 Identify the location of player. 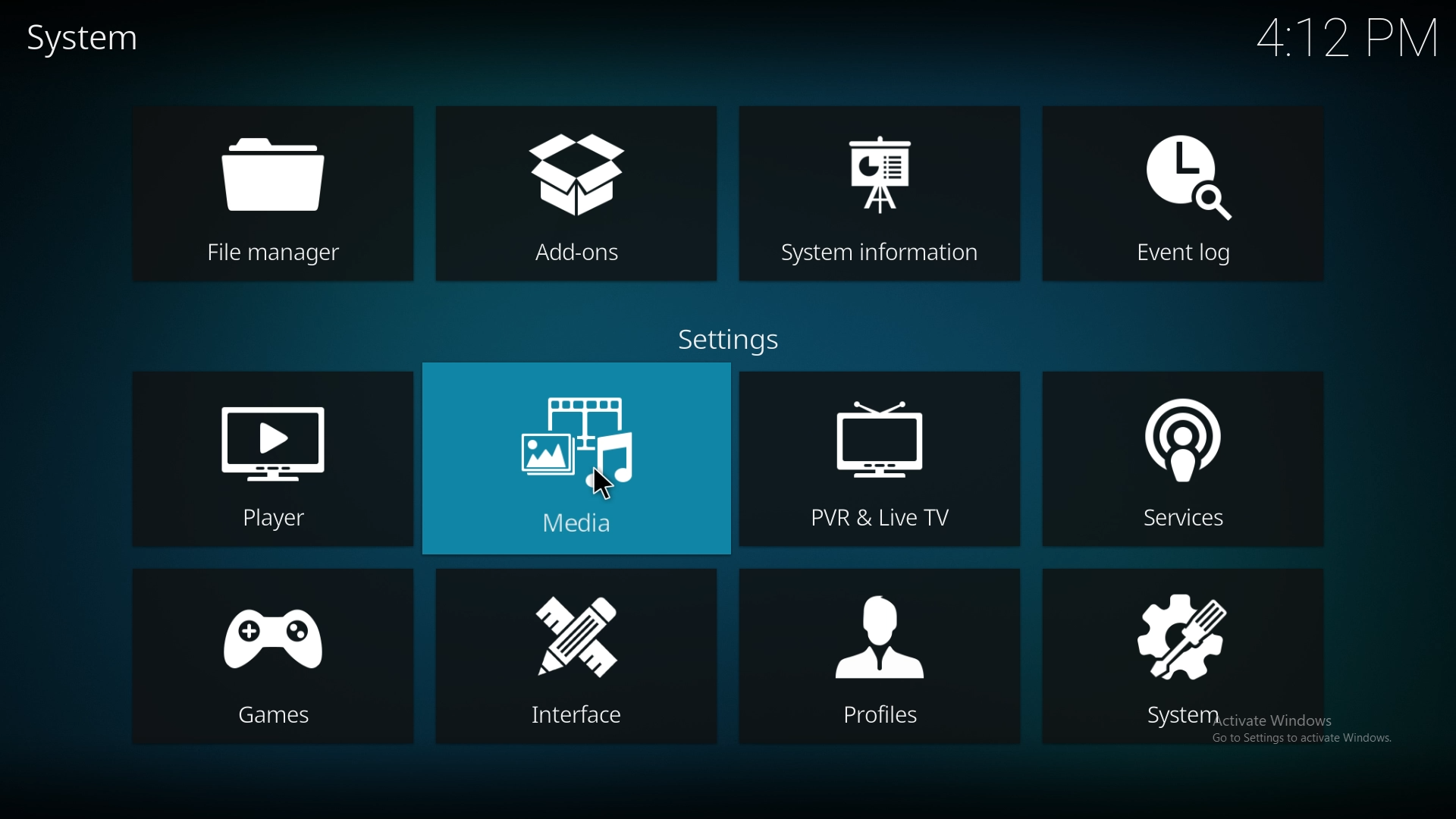
(271, 457).